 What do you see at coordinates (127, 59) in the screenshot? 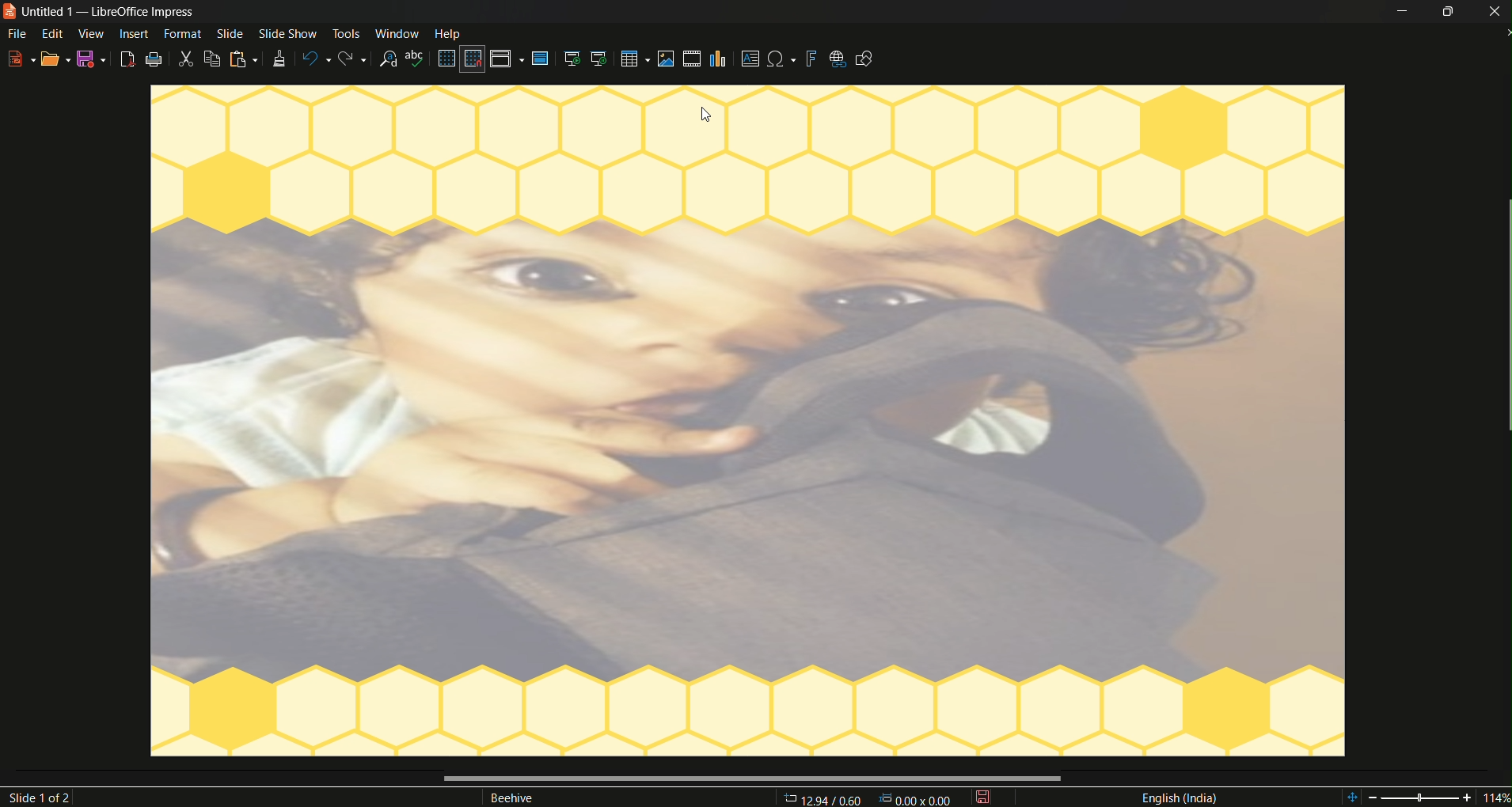
I see `export as pdf` at bounding box center [127, 59].